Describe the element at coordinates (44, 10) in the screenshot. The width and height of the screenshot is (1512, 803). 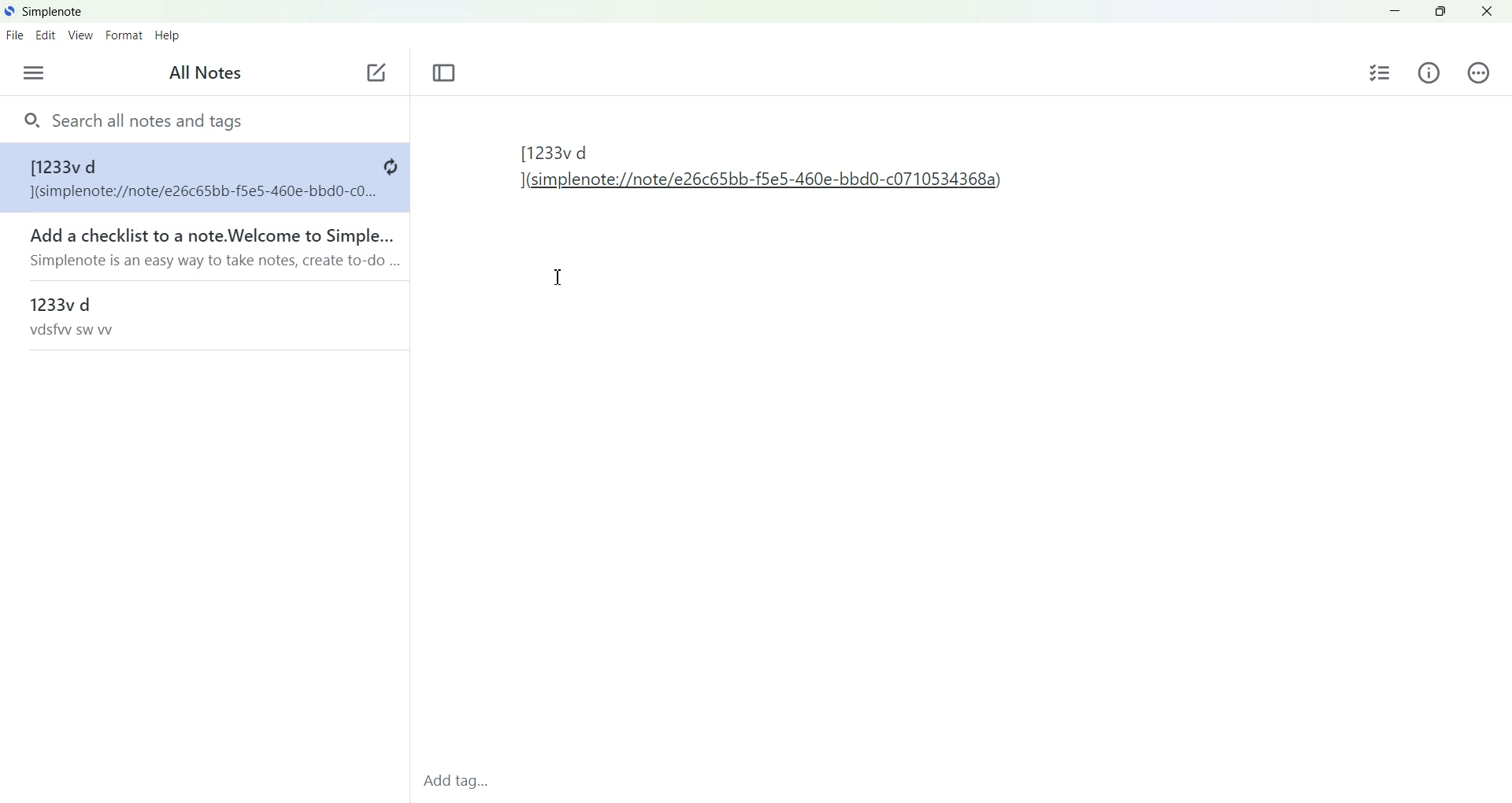
I see `Simplenote` at that location.